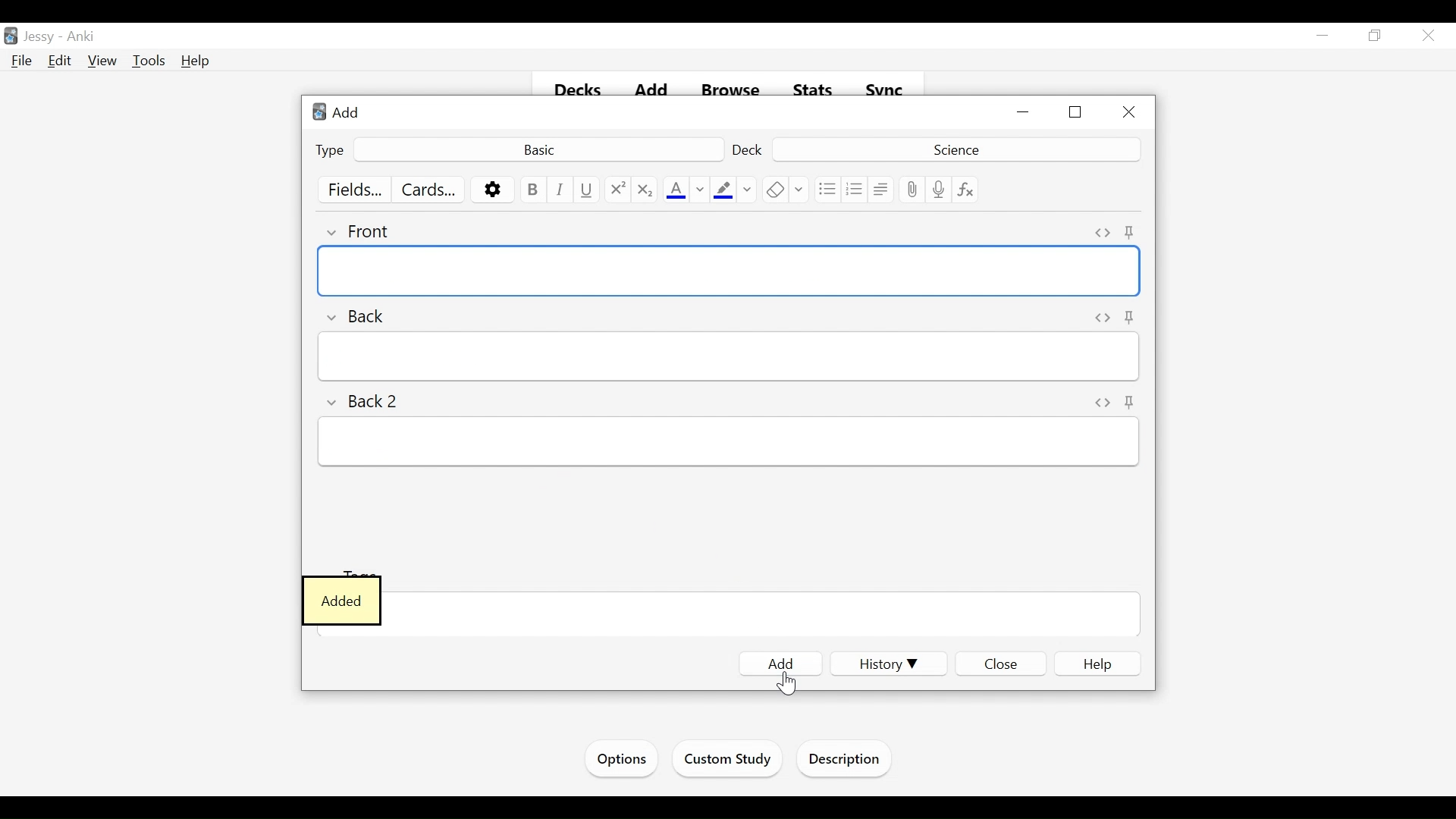 Image resolution: width=1456 pixels, height=819 pixels. What do you see at coordinates (775, 190) in the screenshot?
I see `Remove Formatting` at bounding box center [775, 190].